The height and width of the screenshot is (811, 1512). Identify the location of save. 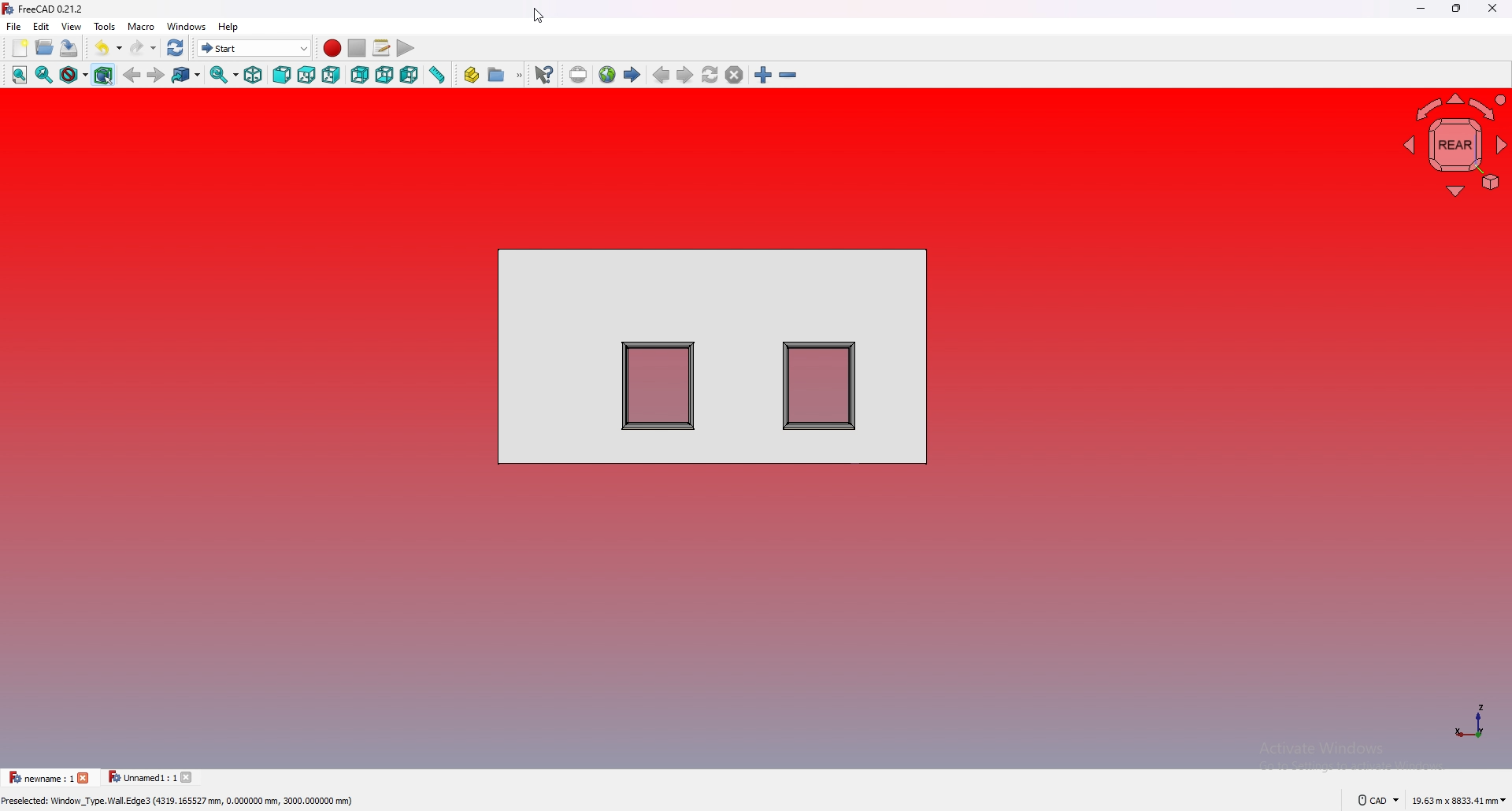
(69, 47).